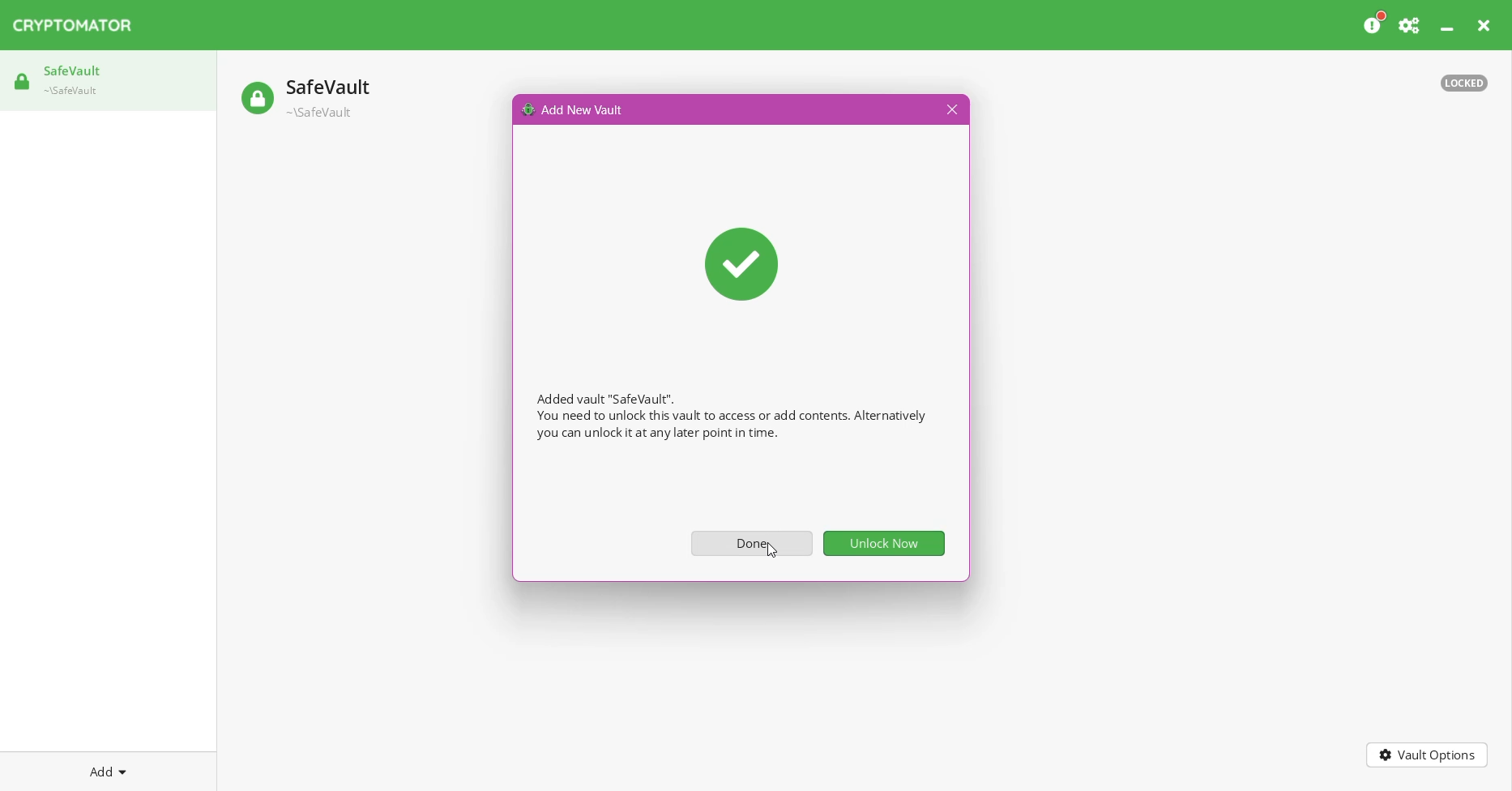 Image resolution: width=1512 pixels, height=791 pixels. I want to click on Close, so click(1486, 25).